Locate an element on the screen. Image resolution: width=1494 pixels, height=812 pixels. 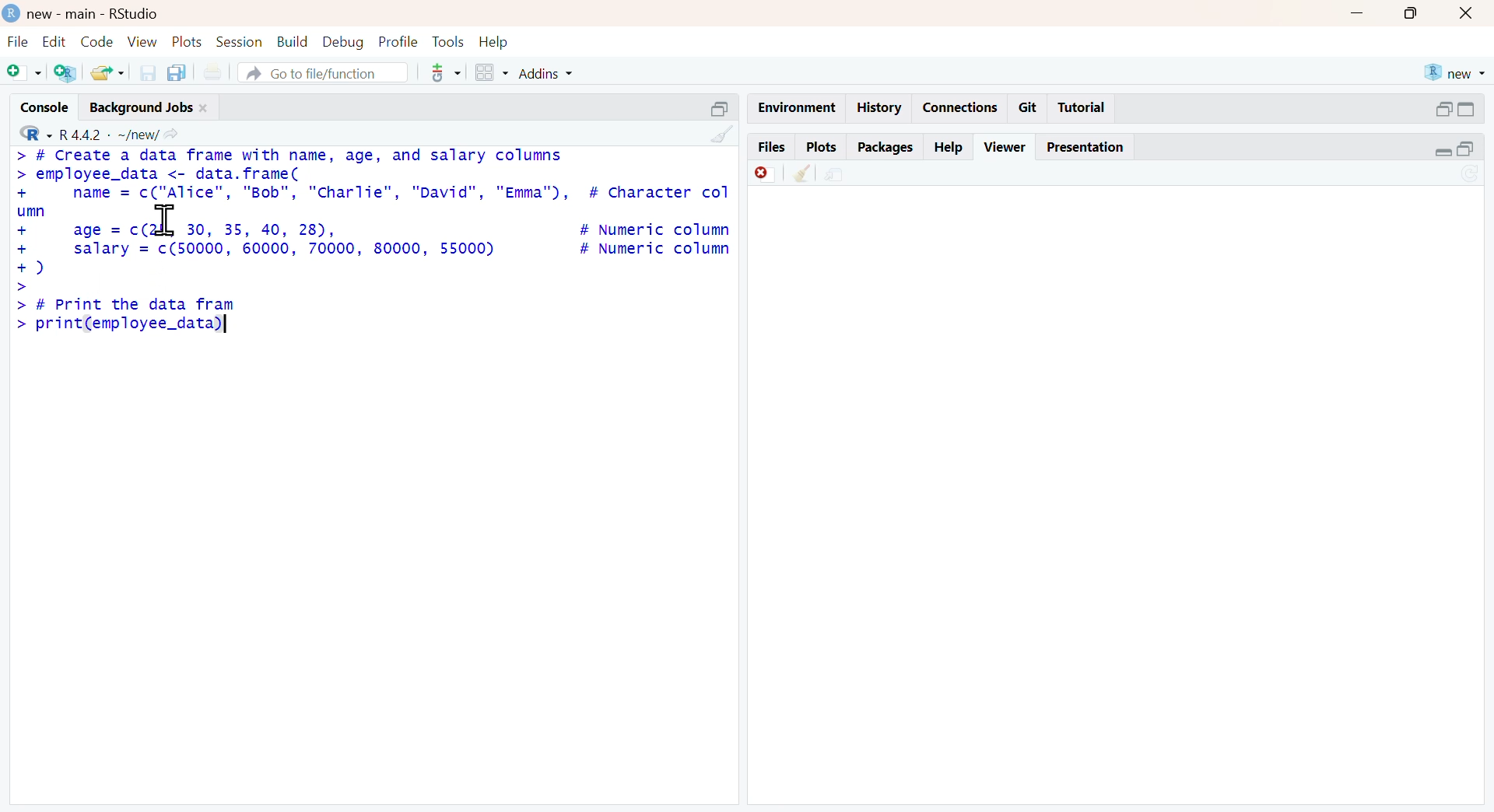
save current ile is located at coordinates (142, 72).